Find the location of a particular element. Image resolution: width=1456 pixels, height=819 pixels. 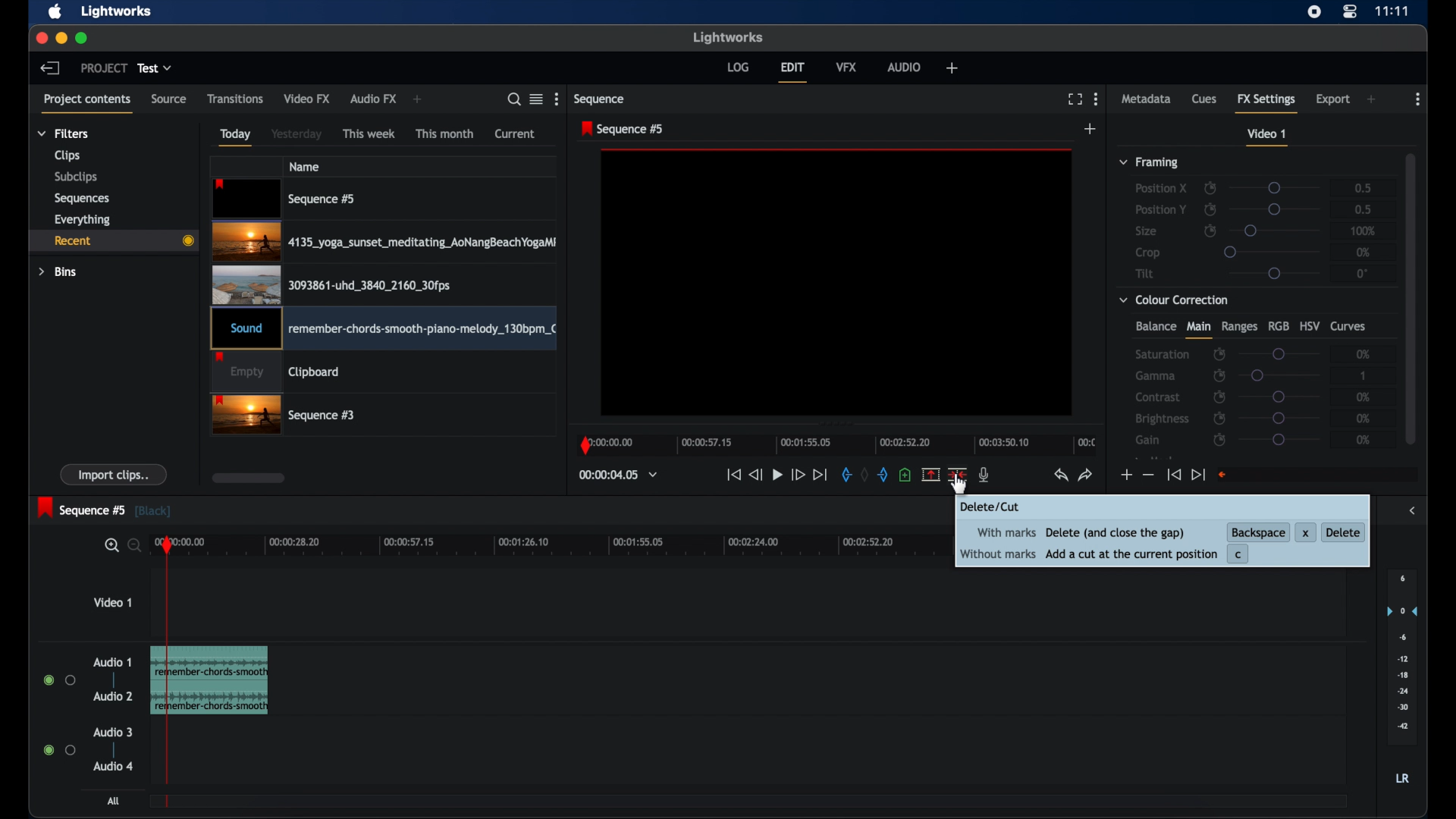

sequence 3 is located at coordinates (284, 416).